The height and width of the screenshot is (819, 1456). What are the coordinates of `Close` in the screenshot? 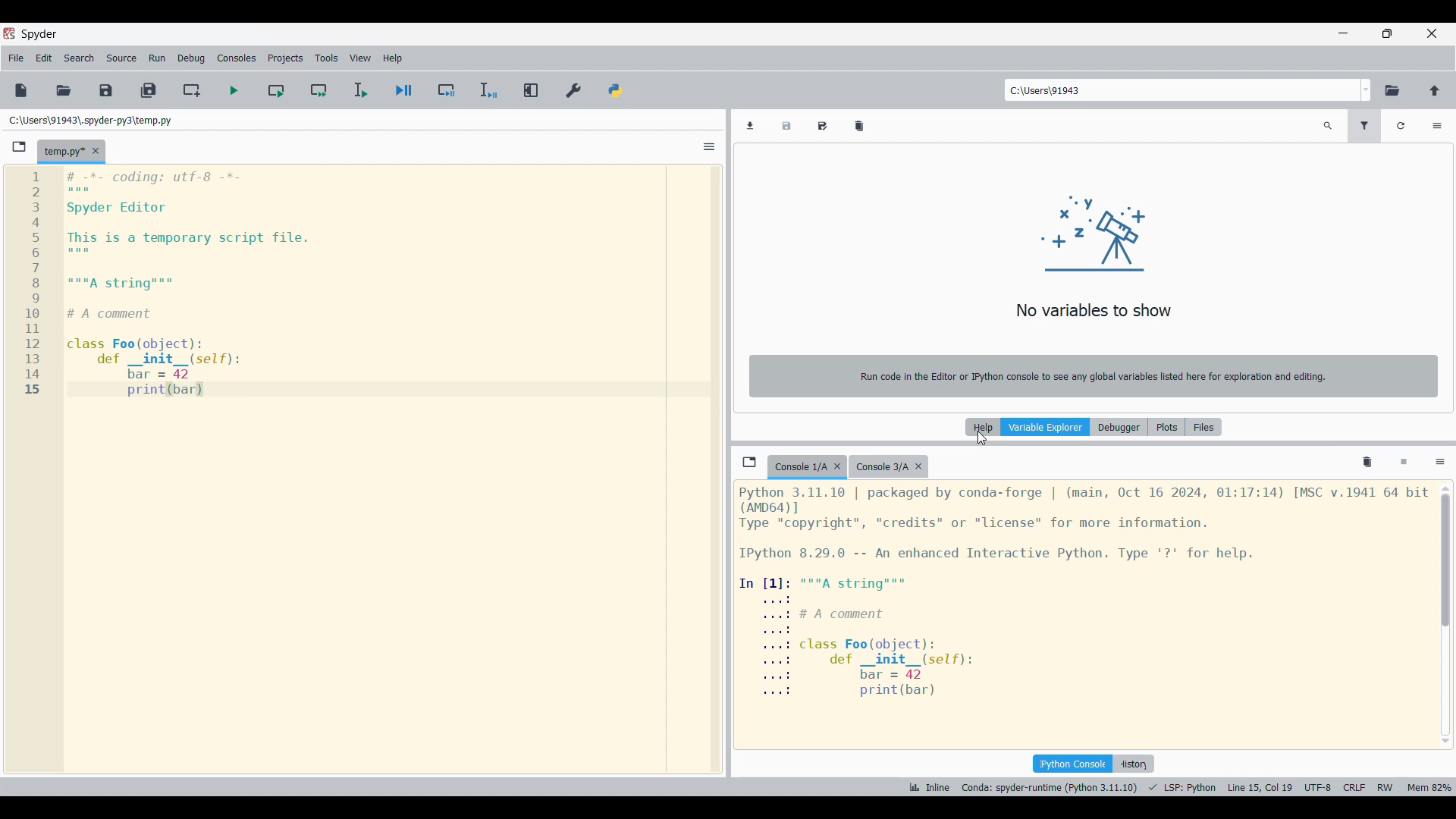 It's located at (96, 150).